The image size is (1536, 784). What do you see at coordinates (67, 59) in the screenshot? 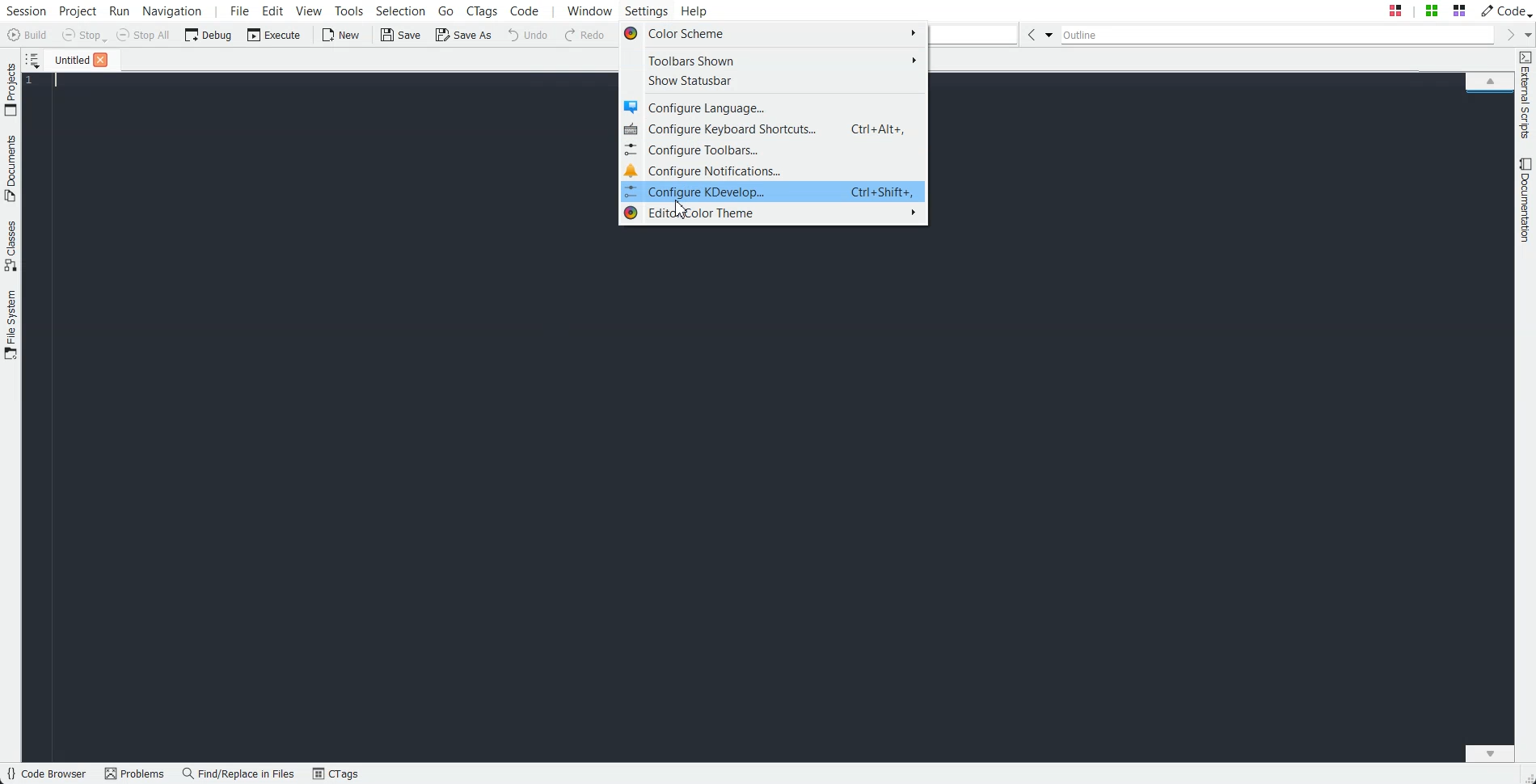
I see `File` at bounding box center [67, 59].